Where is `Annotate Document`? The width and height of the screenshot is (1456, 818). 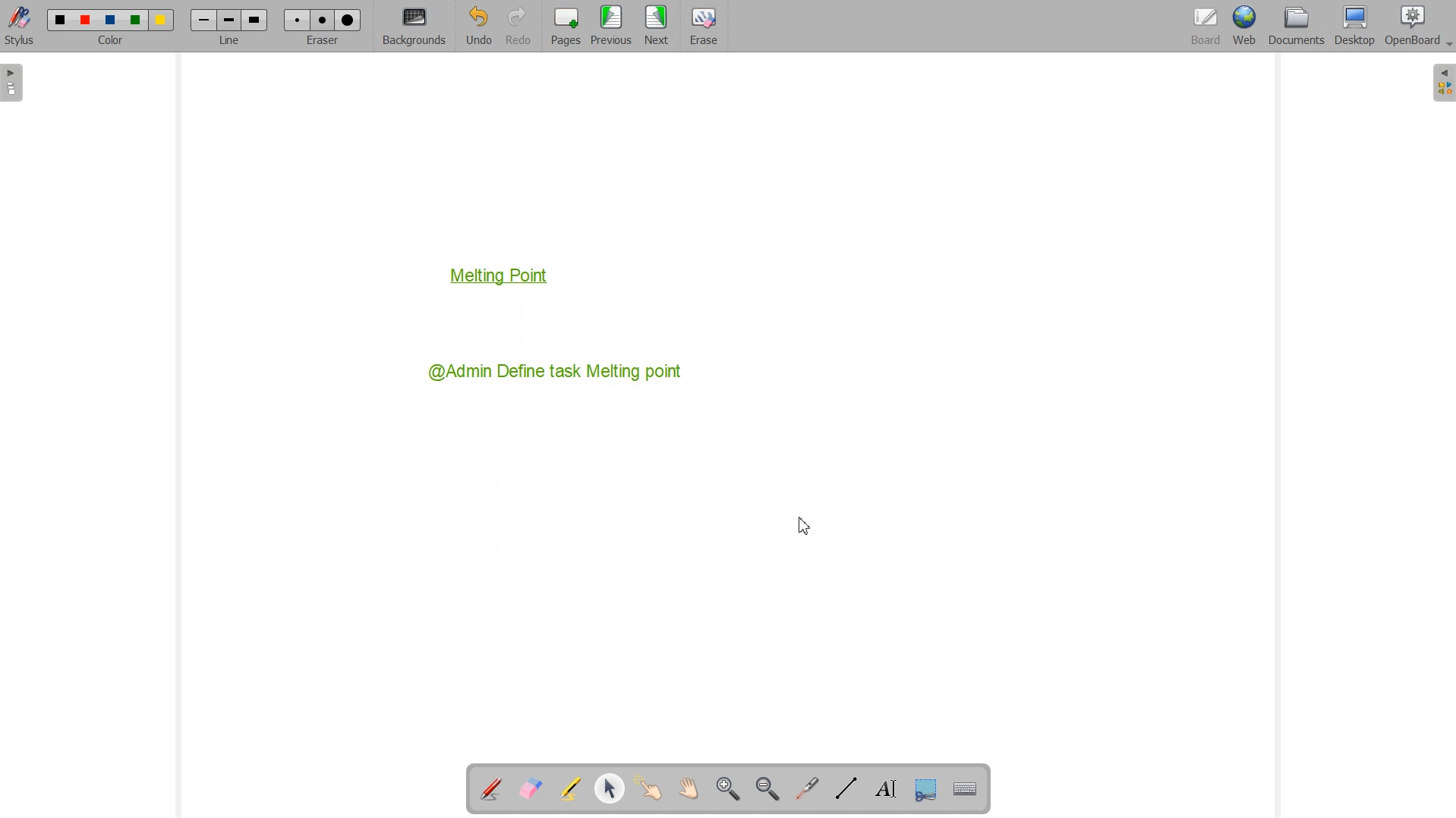 Annotate Document is located at coordinates (490, 789).